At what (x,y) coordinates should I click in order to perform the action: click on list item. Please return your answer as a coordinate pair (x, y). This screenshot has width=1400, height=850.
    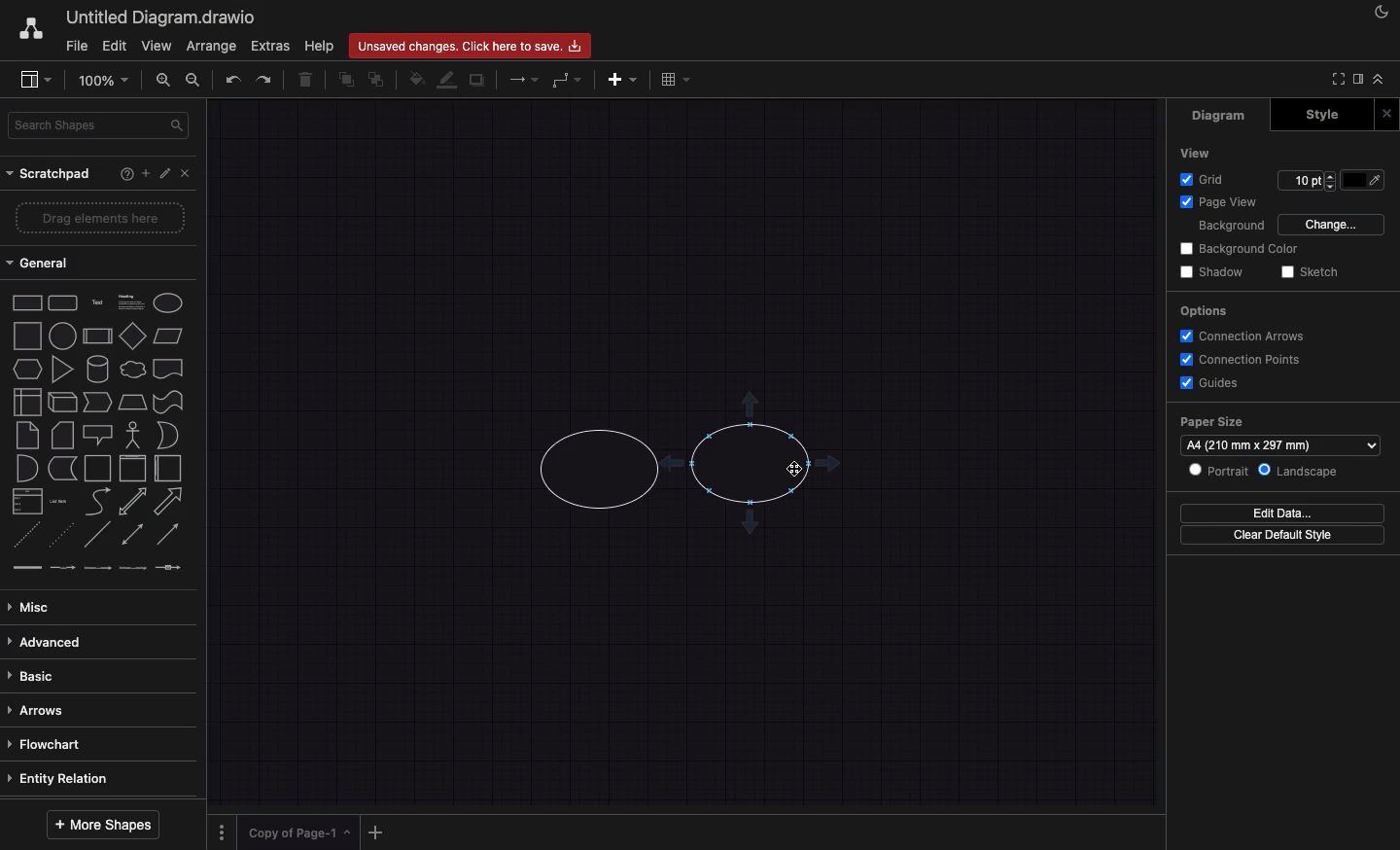
    Looking at the image, I should click on (58, 502).